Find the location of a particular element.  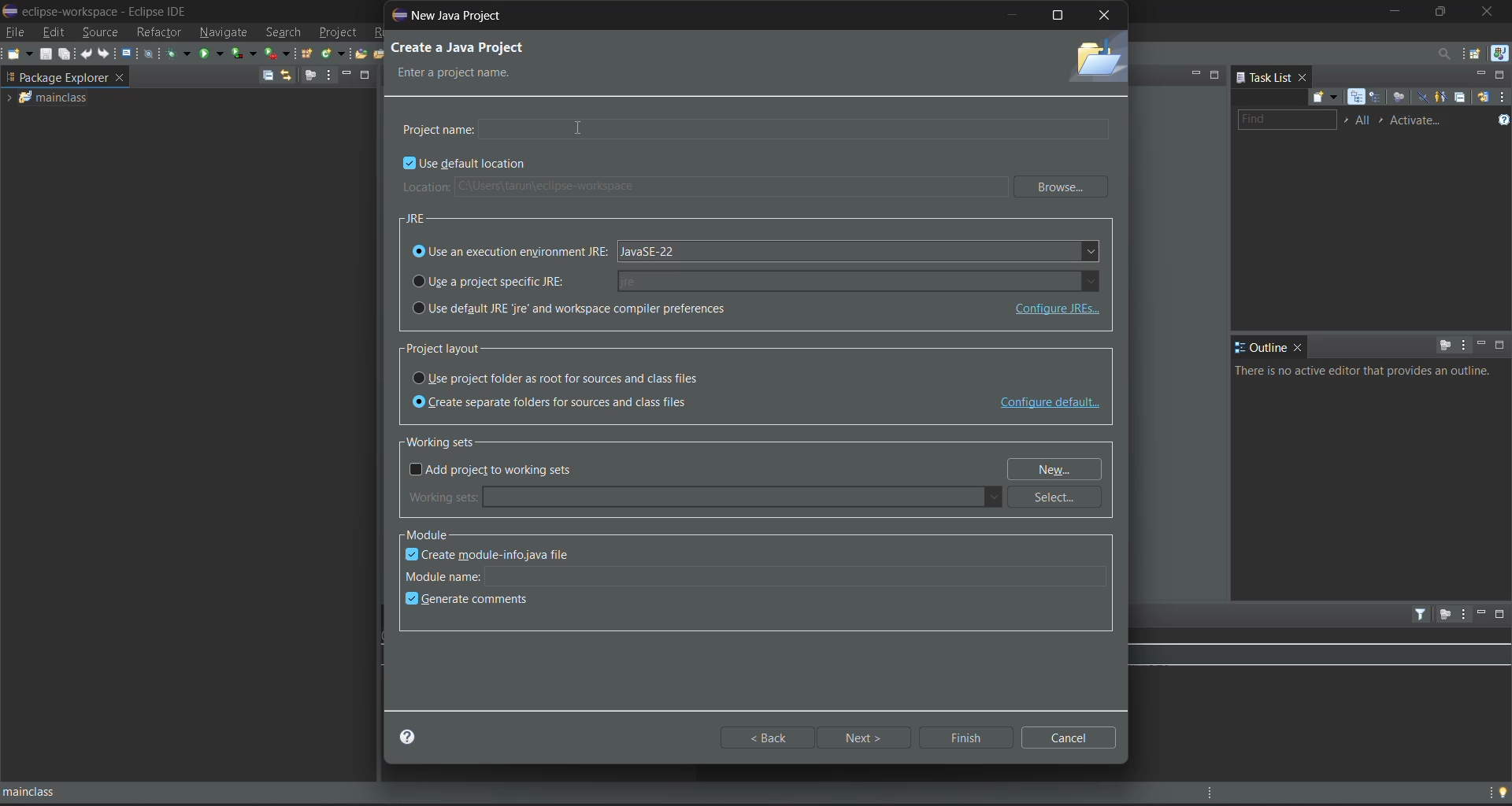

show only my tasks is located at coordinates (1443, 97).